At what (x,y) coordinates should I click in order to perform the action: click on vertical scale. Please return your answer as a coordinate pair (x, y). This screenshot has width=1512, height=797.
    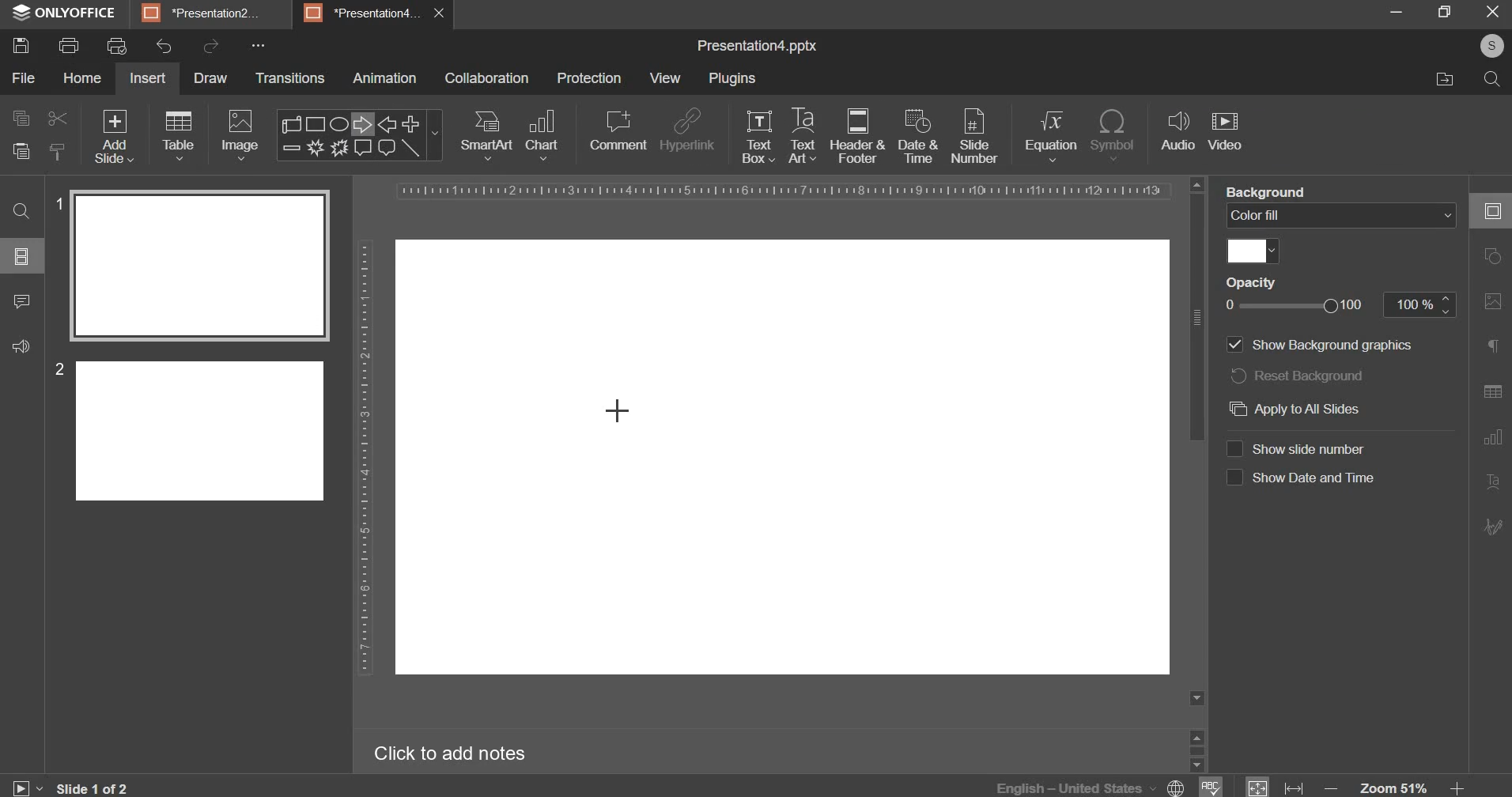
    Looking at the image, I should click on (360, 459).